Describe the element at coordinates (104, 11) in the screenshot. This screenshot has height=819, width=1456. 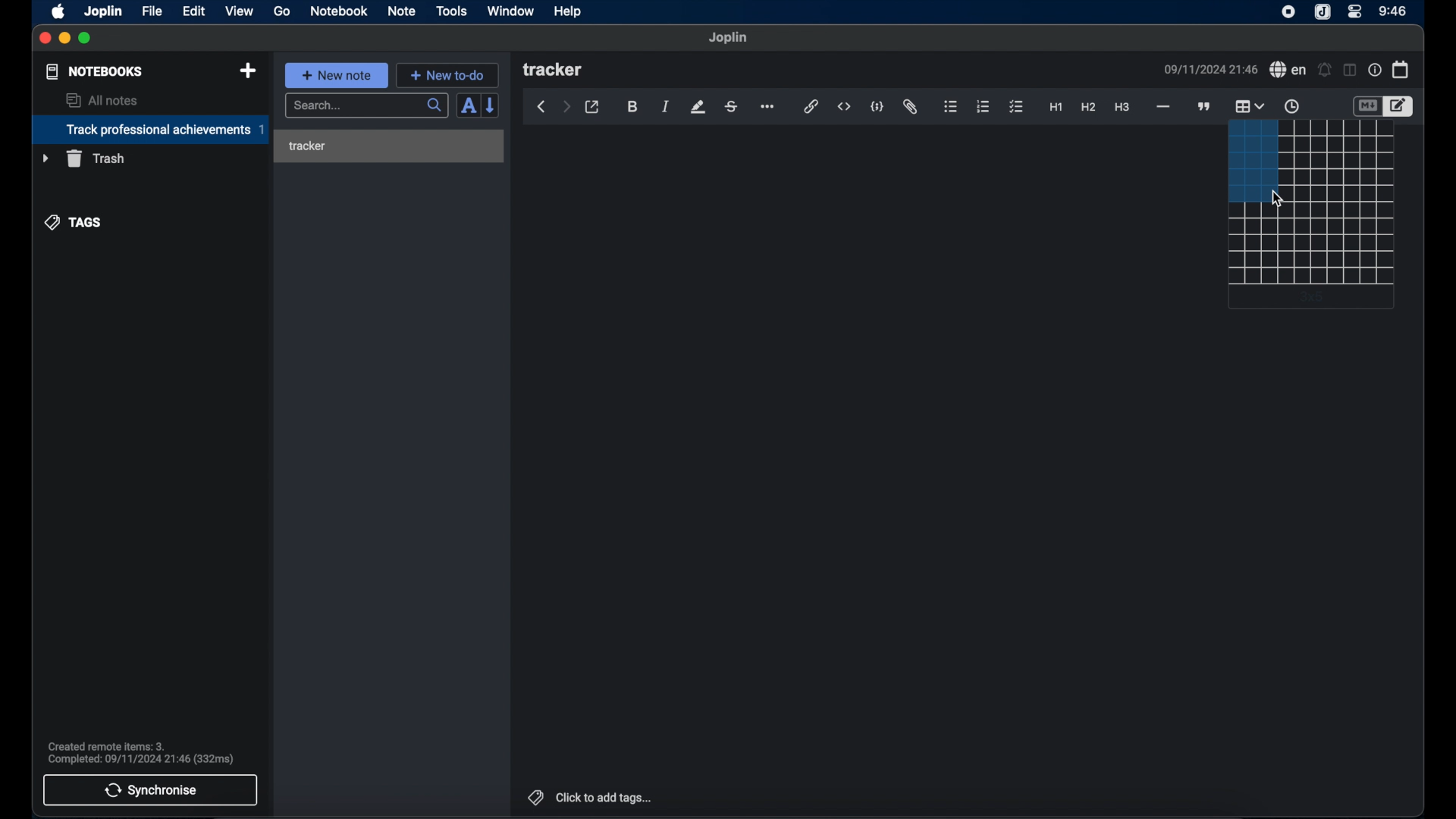
I see `joplin` at that location.